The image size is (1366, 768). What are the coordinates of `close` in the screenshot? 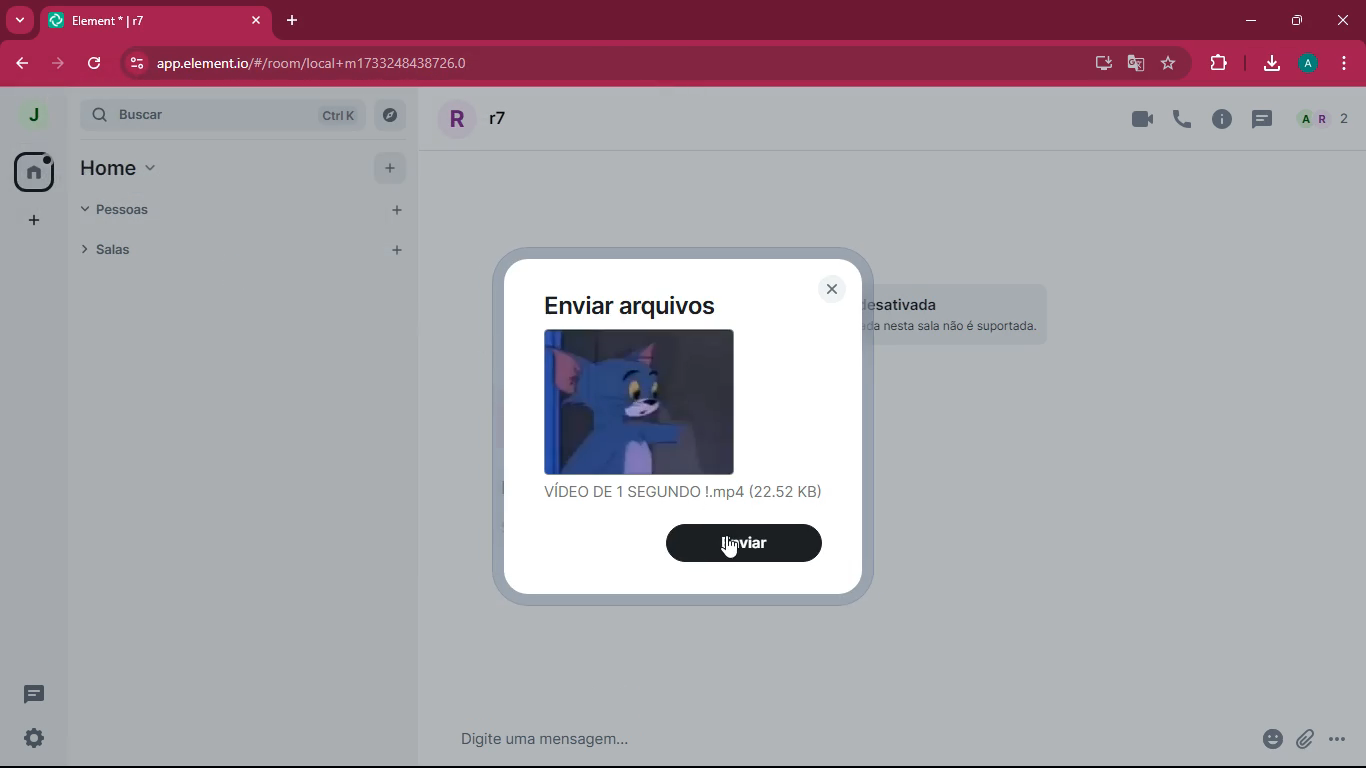 It's located at (832, 289).